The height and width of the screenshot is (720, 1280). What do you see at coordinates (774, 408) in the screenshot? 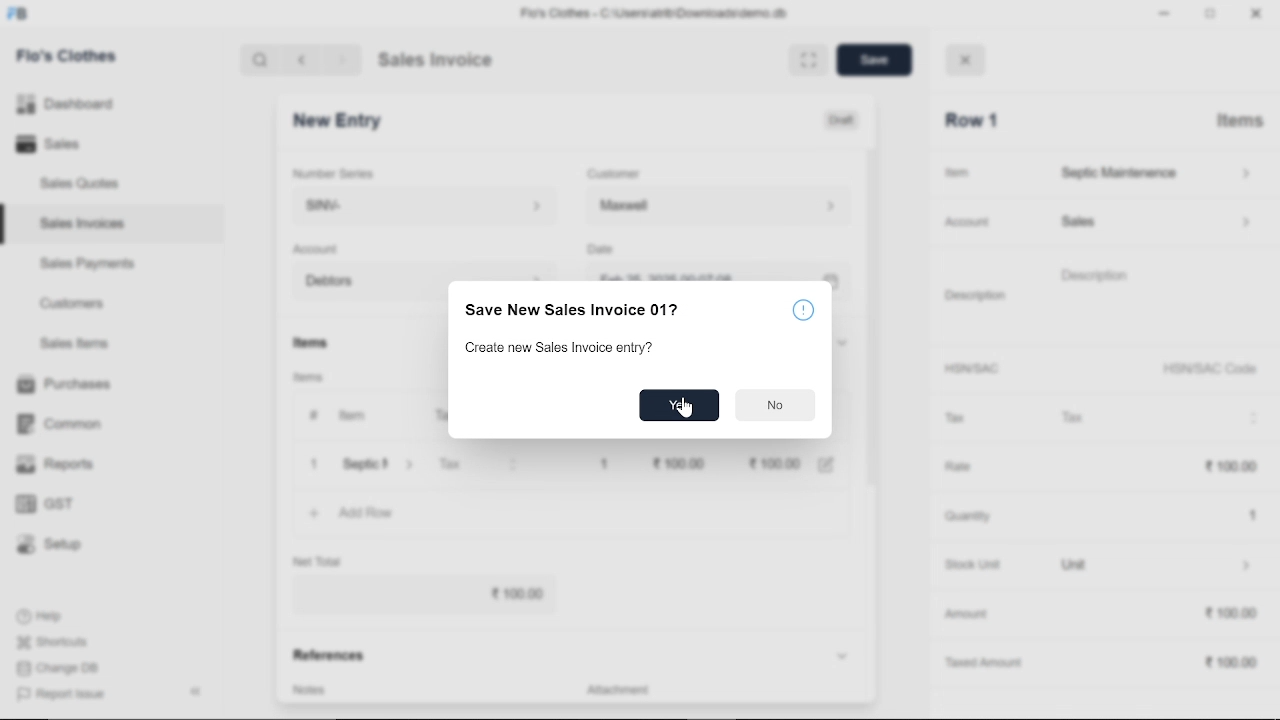
I see `` at bounding box center [774, 408].